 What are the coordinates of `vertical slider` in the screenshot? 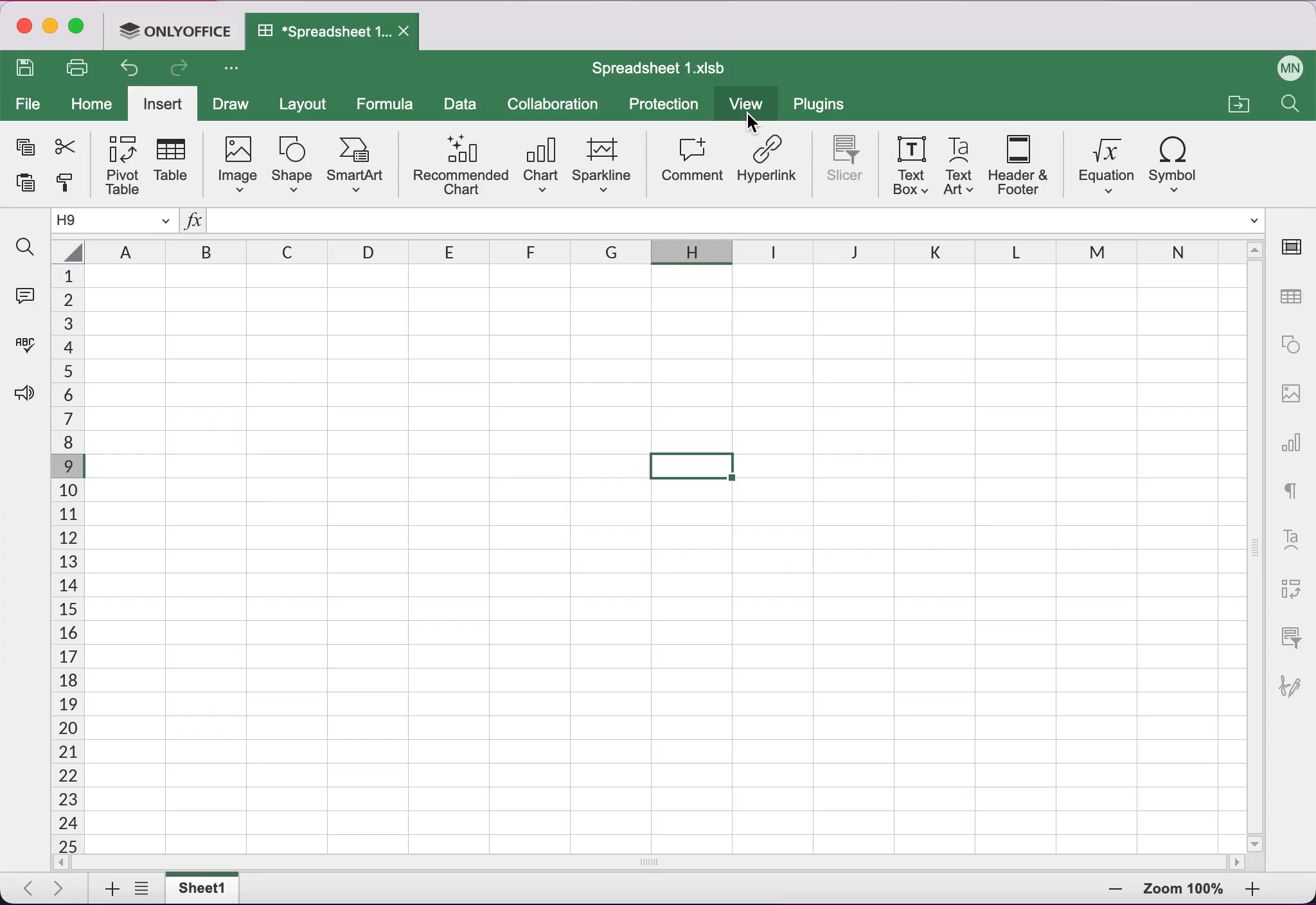 It's located at (1255, 546).